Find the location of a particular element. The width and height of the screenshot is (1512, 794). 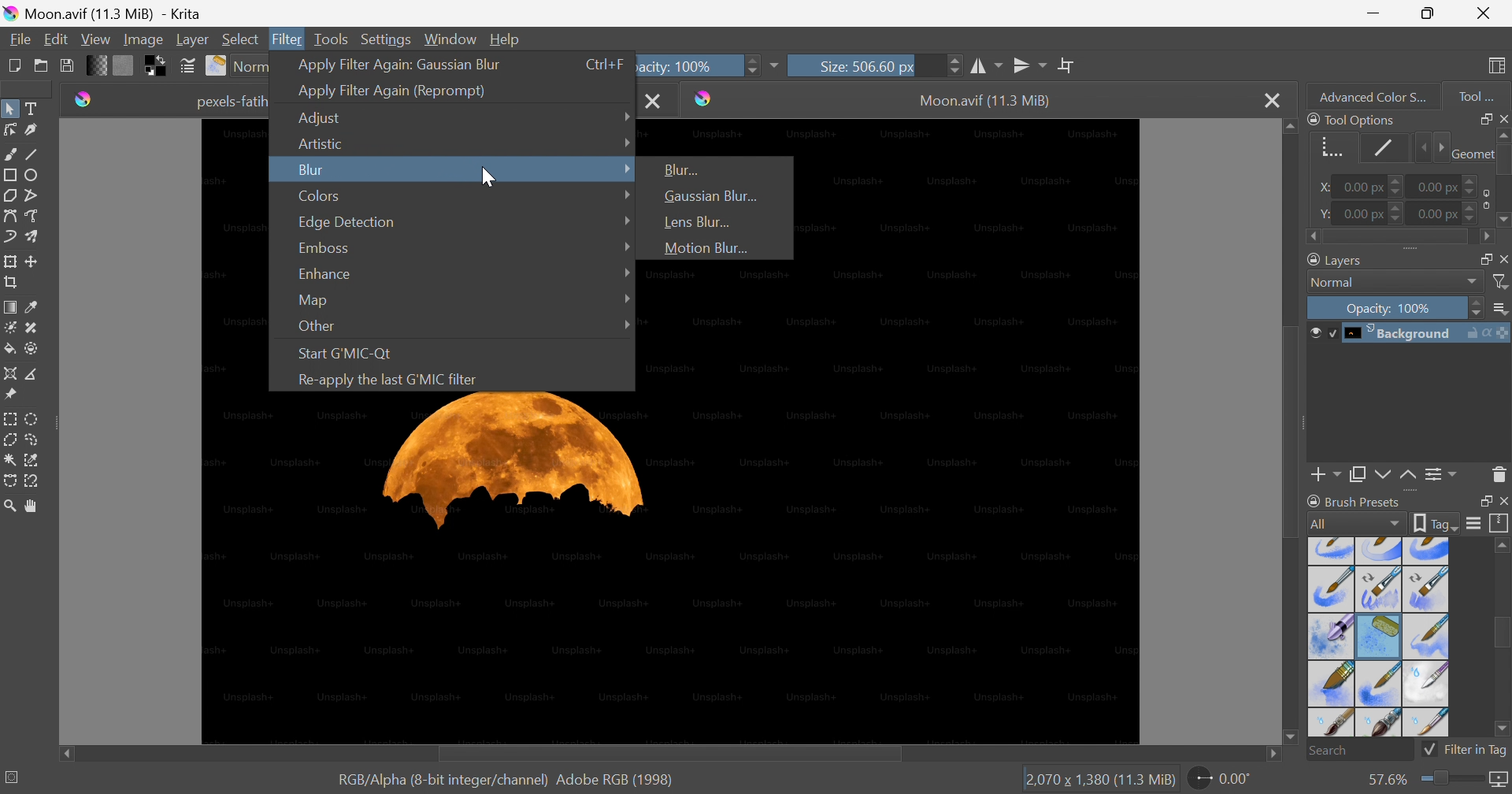

Close is located at coordinates (654, 102).